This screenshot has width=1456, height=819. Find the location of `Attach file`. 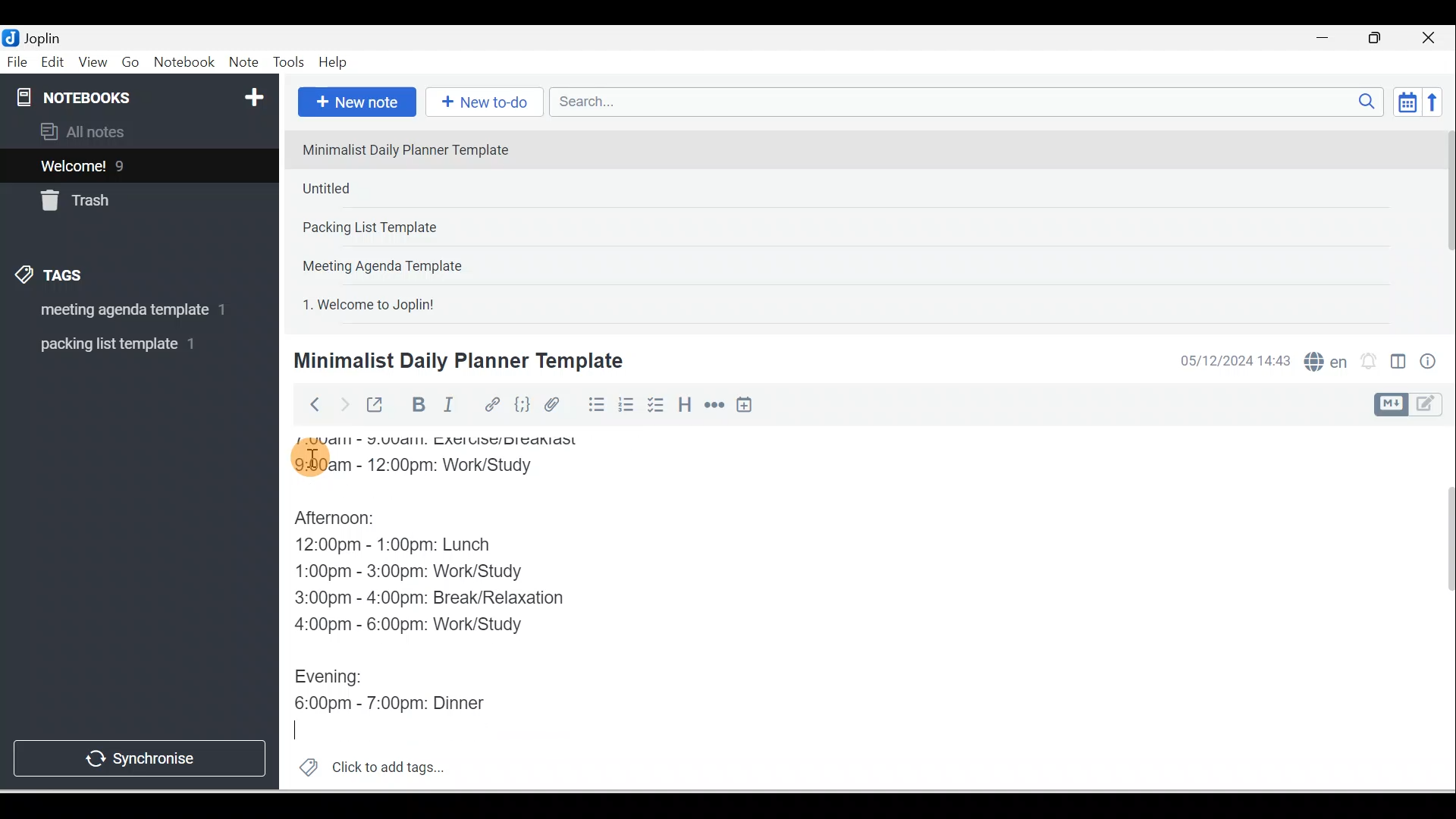

Attach file is located at coordinates (556, 404).